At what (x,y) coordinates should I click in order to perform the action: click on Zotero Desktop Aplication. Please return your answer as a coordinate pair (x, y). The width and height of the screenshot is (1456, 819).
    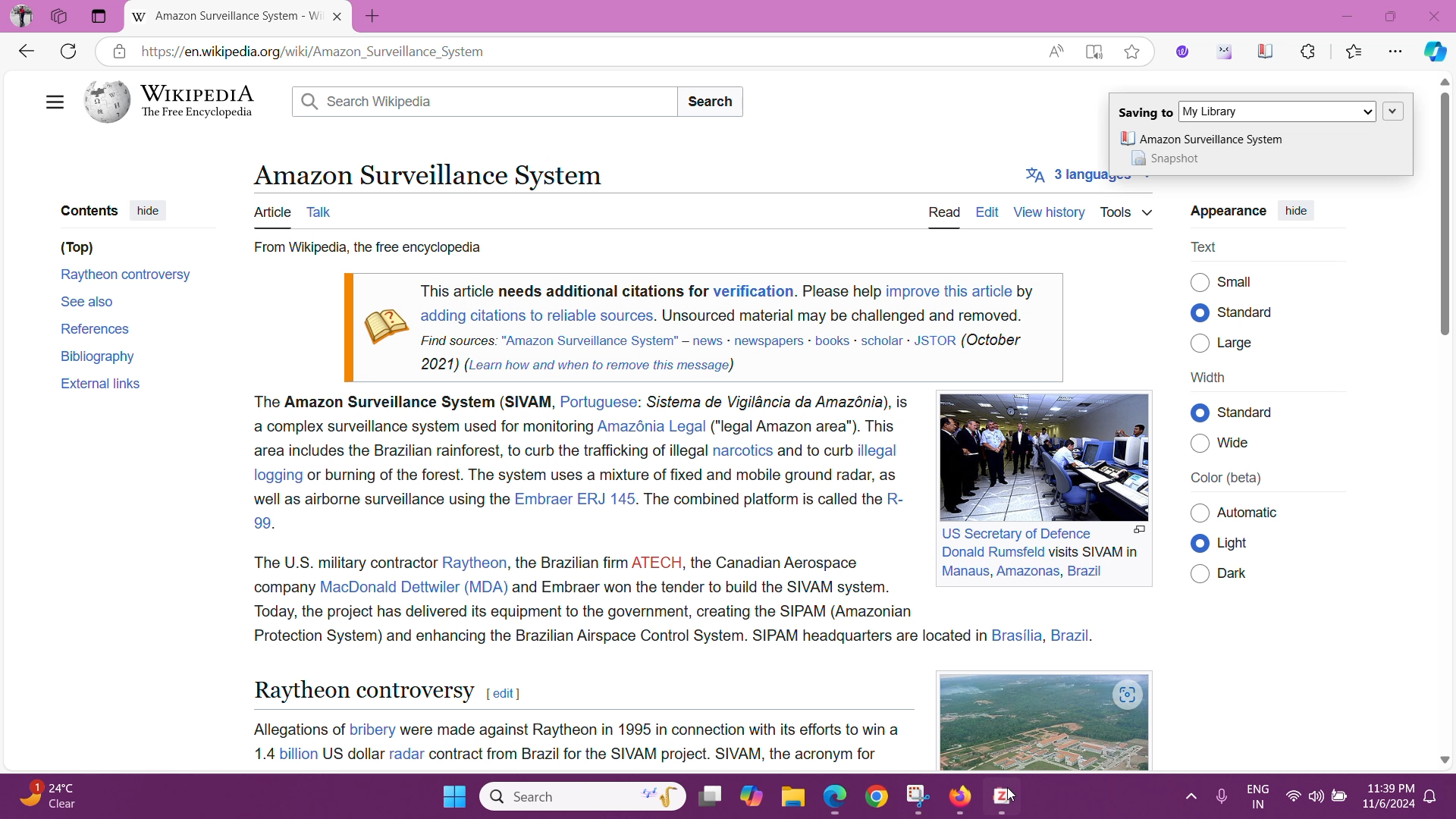
    Looking at the image, I should click on (1005, 800).